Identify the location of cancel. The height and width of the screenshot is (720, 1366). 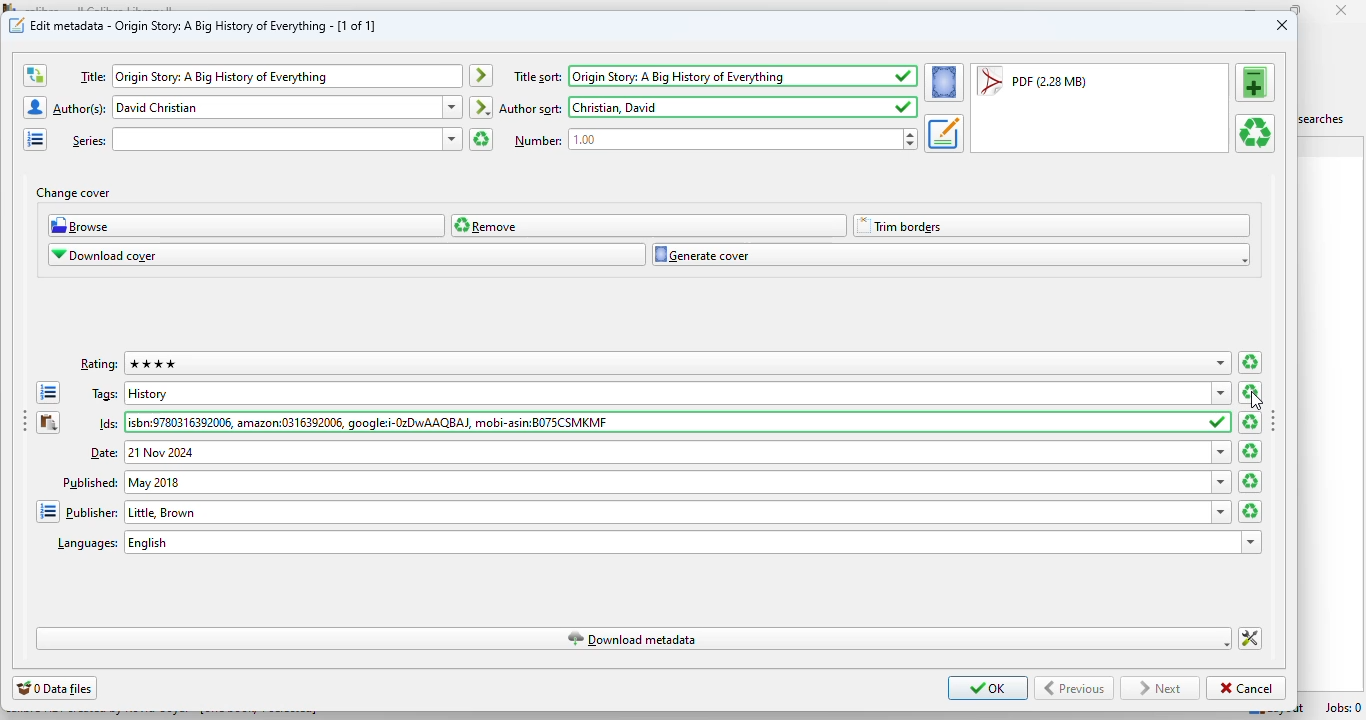
(1247, 688).